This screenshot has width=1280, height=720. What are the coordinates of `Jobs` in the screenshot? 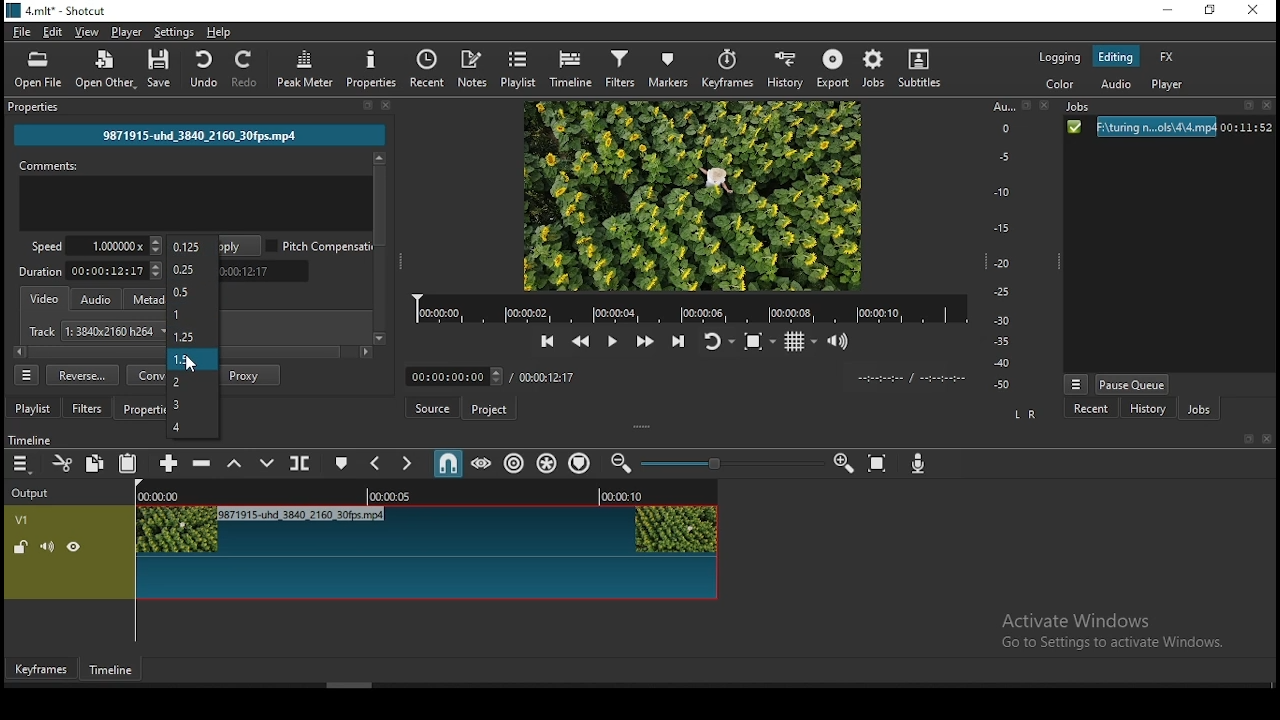 It's located at (1082, 108).